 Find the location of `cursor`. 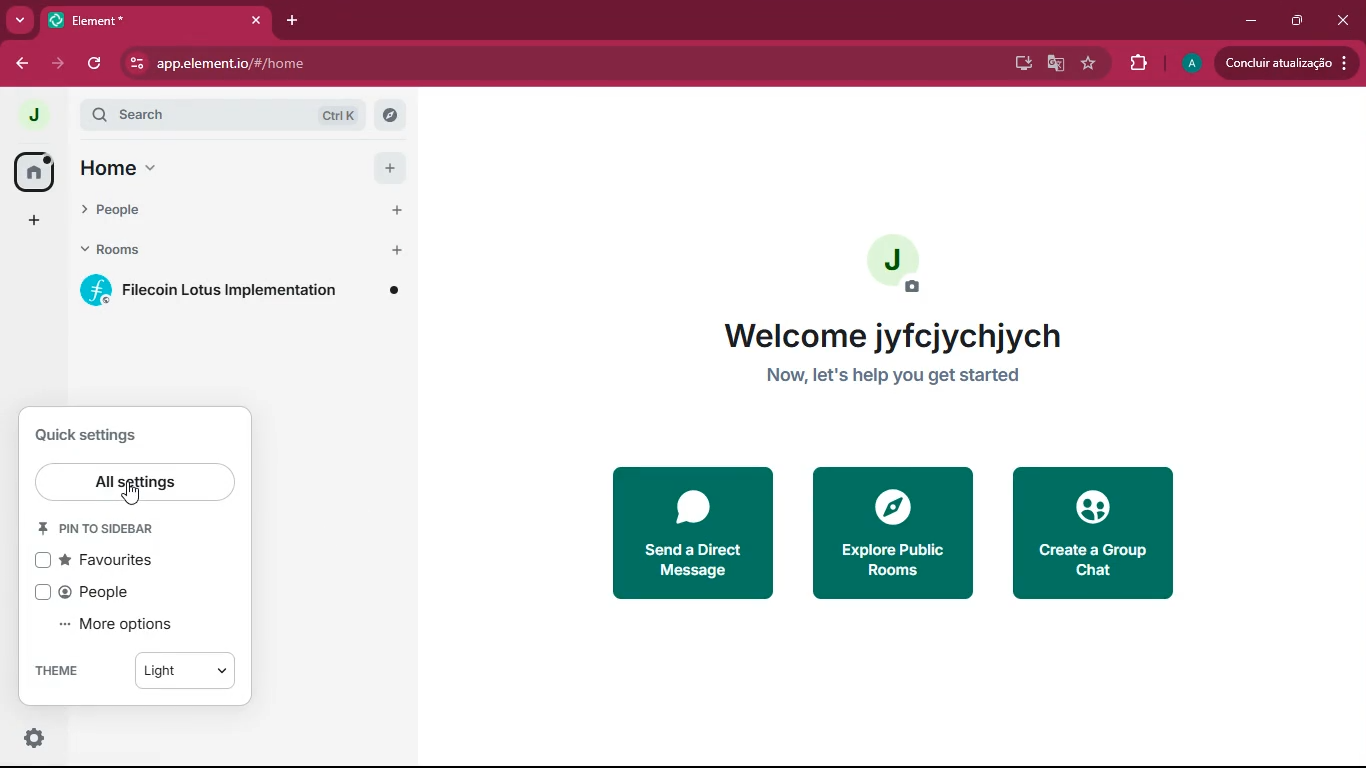

cursor is located at coordinates (136, 495).